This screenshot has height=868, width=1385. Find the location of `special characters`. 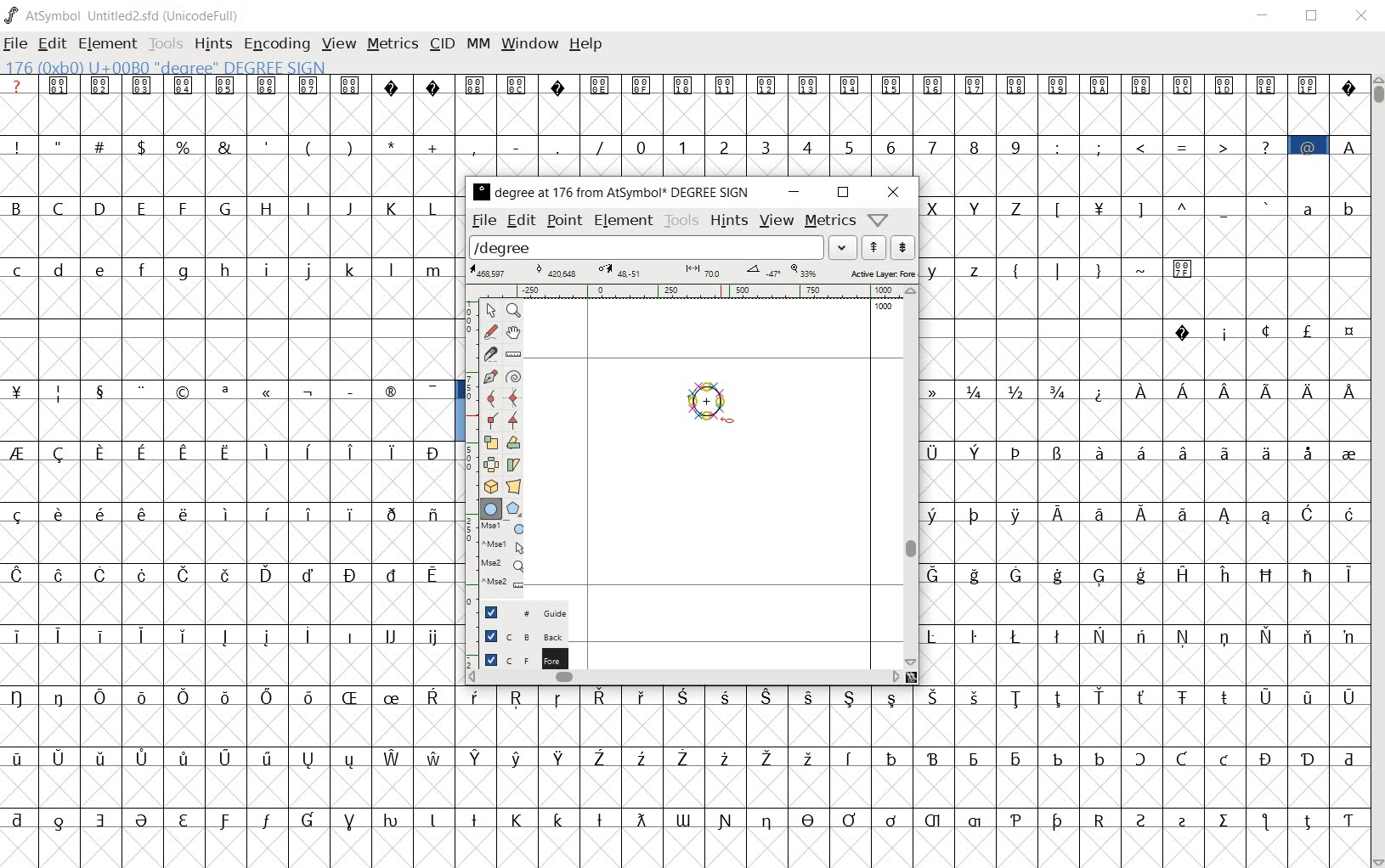

special characters is located at coordinates (1162, 146).